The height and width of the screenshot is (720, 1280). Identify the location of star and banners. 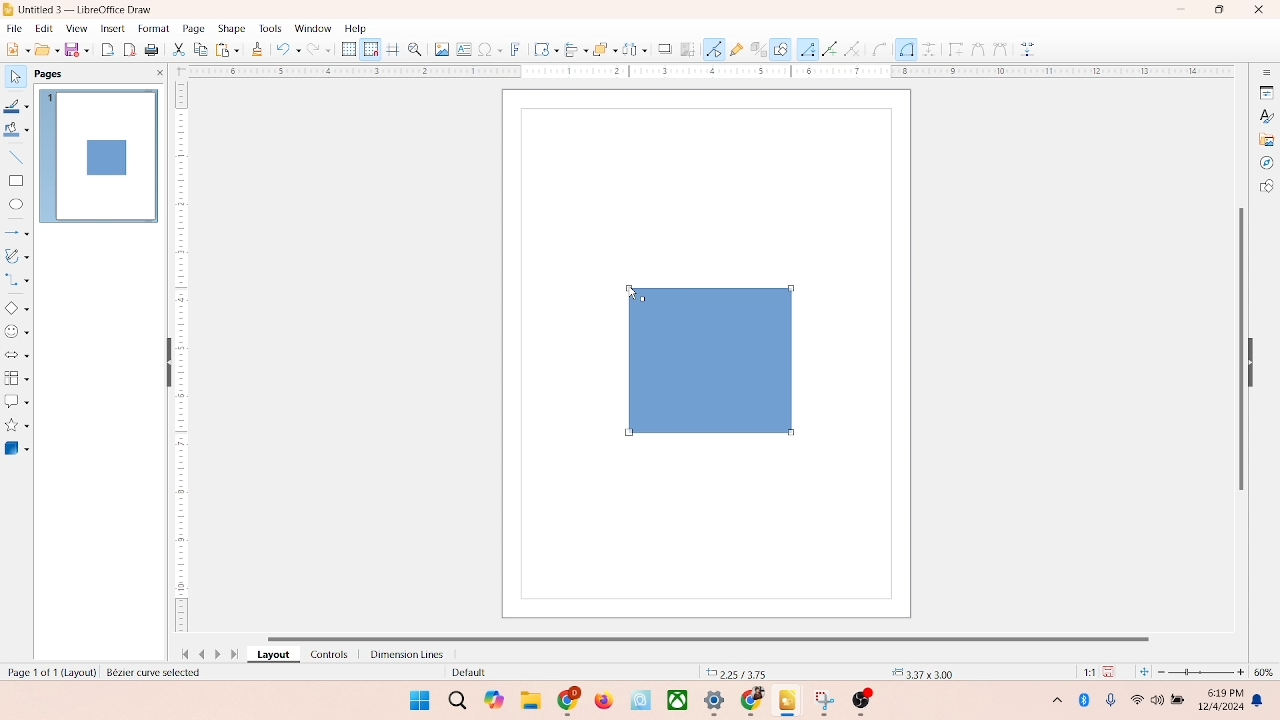
(19, 425).